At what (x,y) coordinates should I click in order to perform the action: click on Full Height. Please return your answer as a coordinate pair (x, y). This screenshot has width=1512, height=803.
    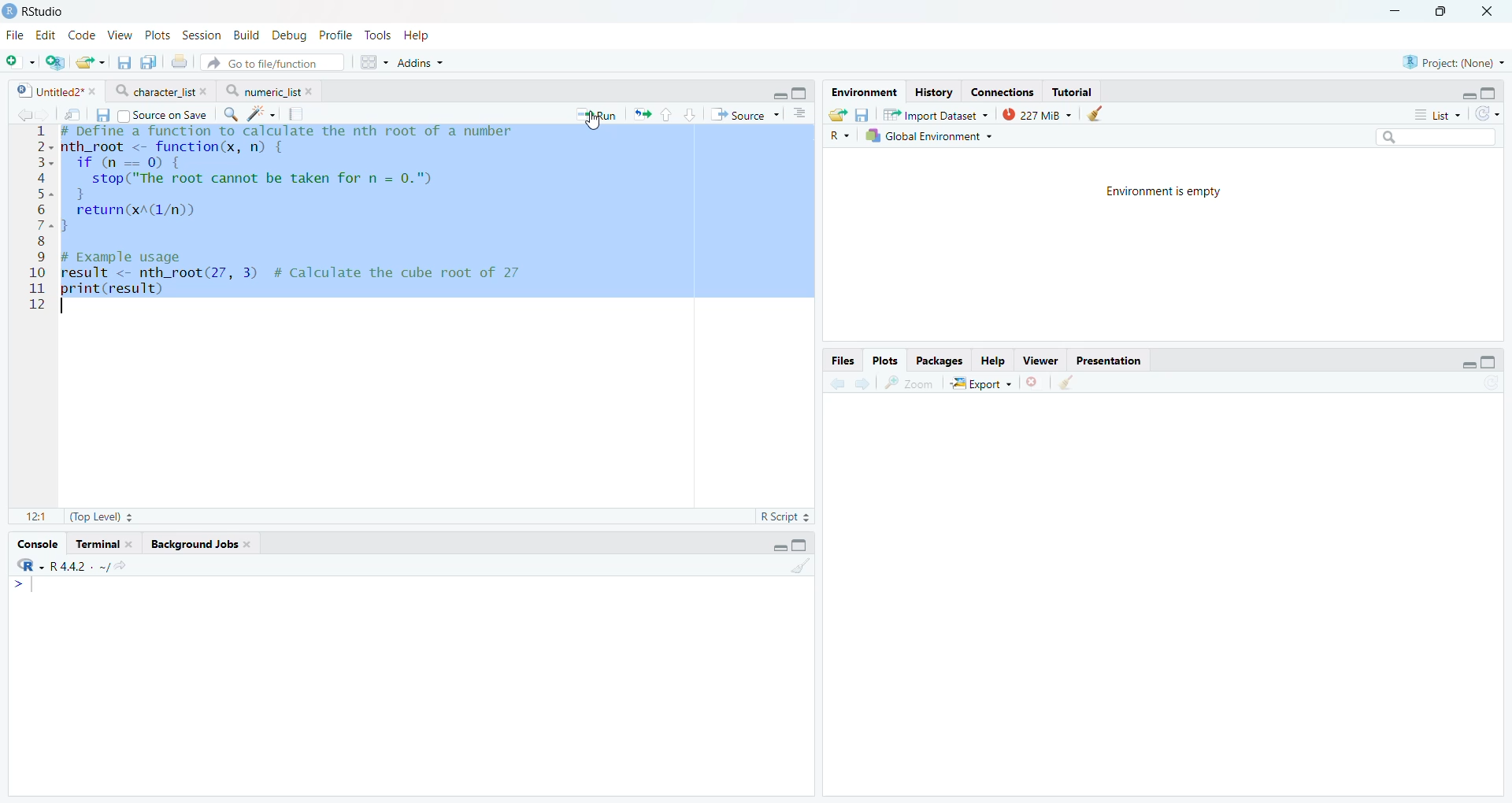
    Looking at the image, I should click on (1490, 91).